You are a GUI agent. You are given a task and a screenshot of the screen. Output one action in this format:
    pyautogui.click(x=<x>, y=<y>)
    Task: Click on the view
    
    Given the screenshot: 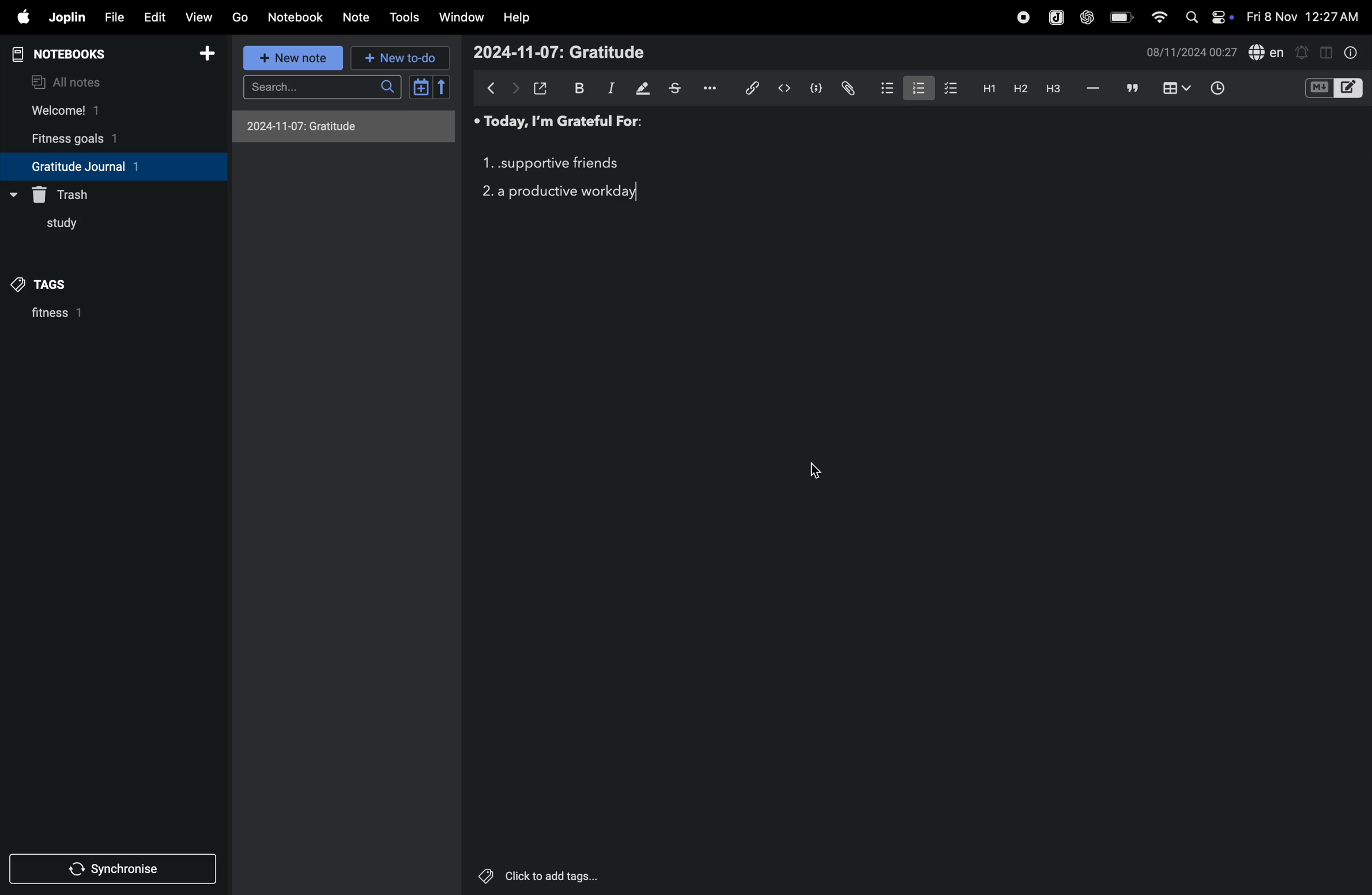 What is the action you would take?
    pyautogui.click(x=195, y=18)
    